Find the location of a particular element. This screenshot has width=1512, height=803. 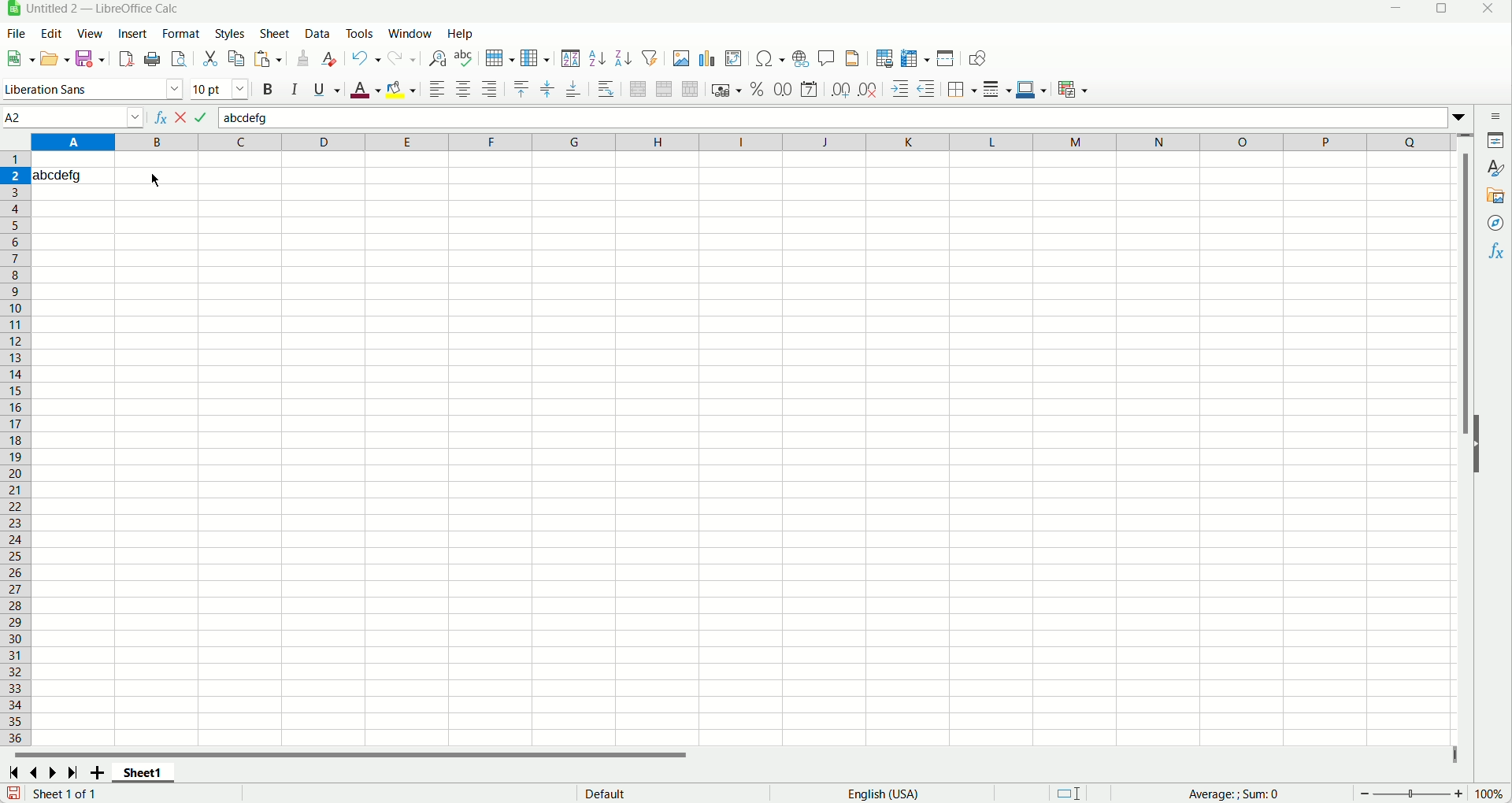

italics is located at coordinates (295, 89).